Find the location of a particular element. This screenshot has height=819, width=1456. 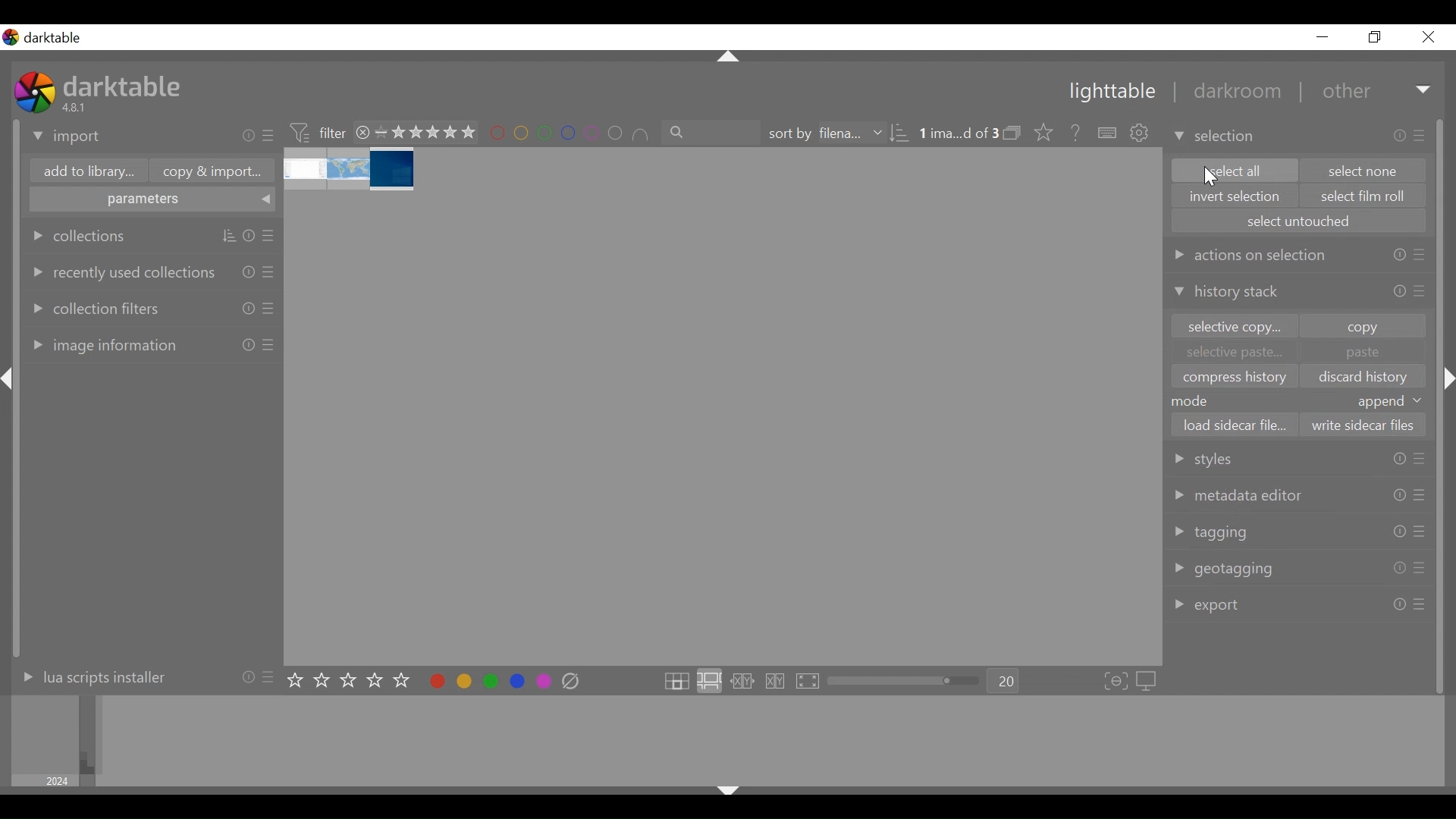

sorting is located at coordinates (229, 237).